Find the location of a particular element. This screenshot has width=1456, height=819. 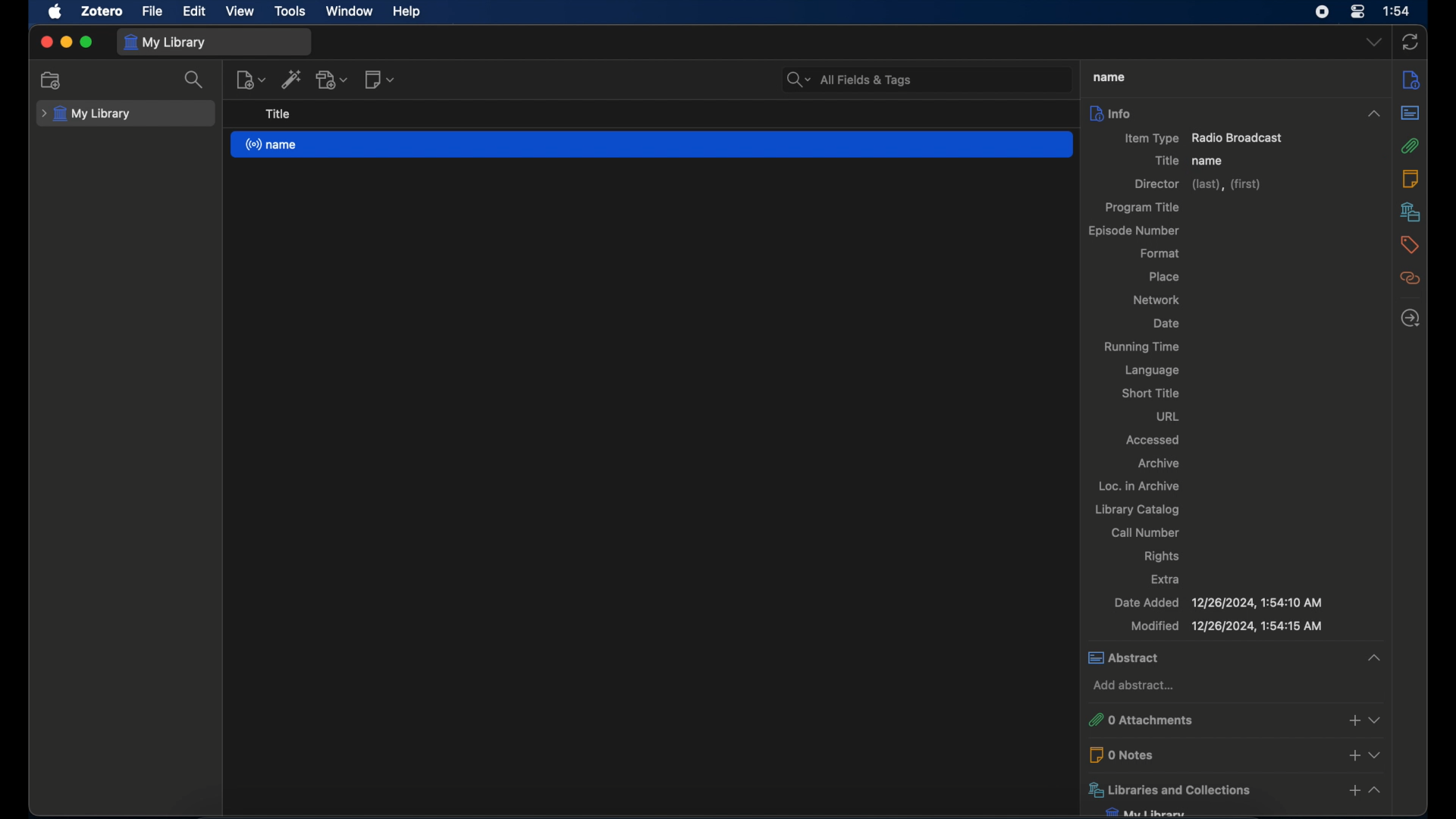

tools is located at coordinates (291, 11).